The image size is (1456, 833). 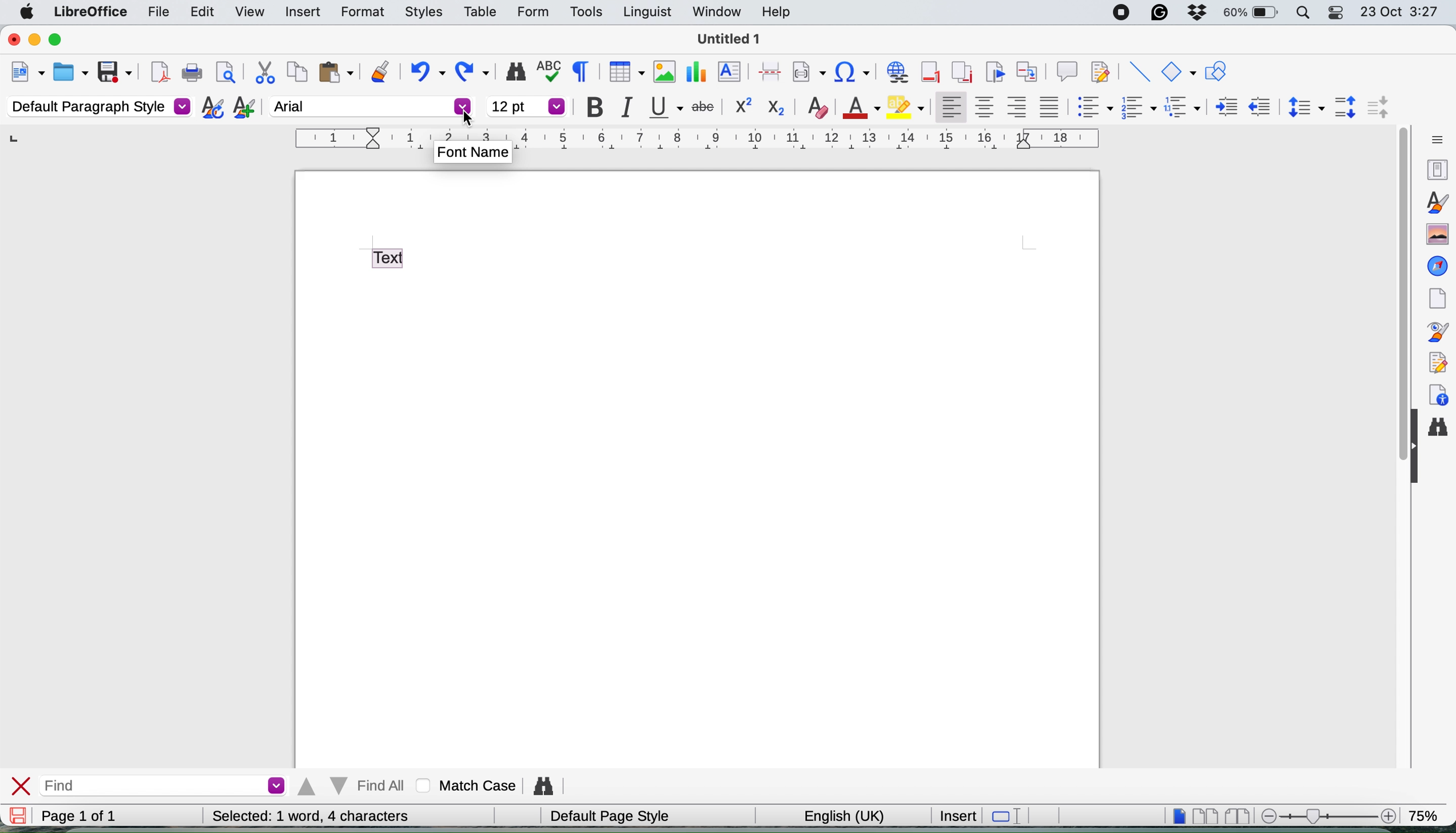 What do you see at coordinates (1250, 14) in the screenshot?
I see `battery` at bounding box center [1250, 14].